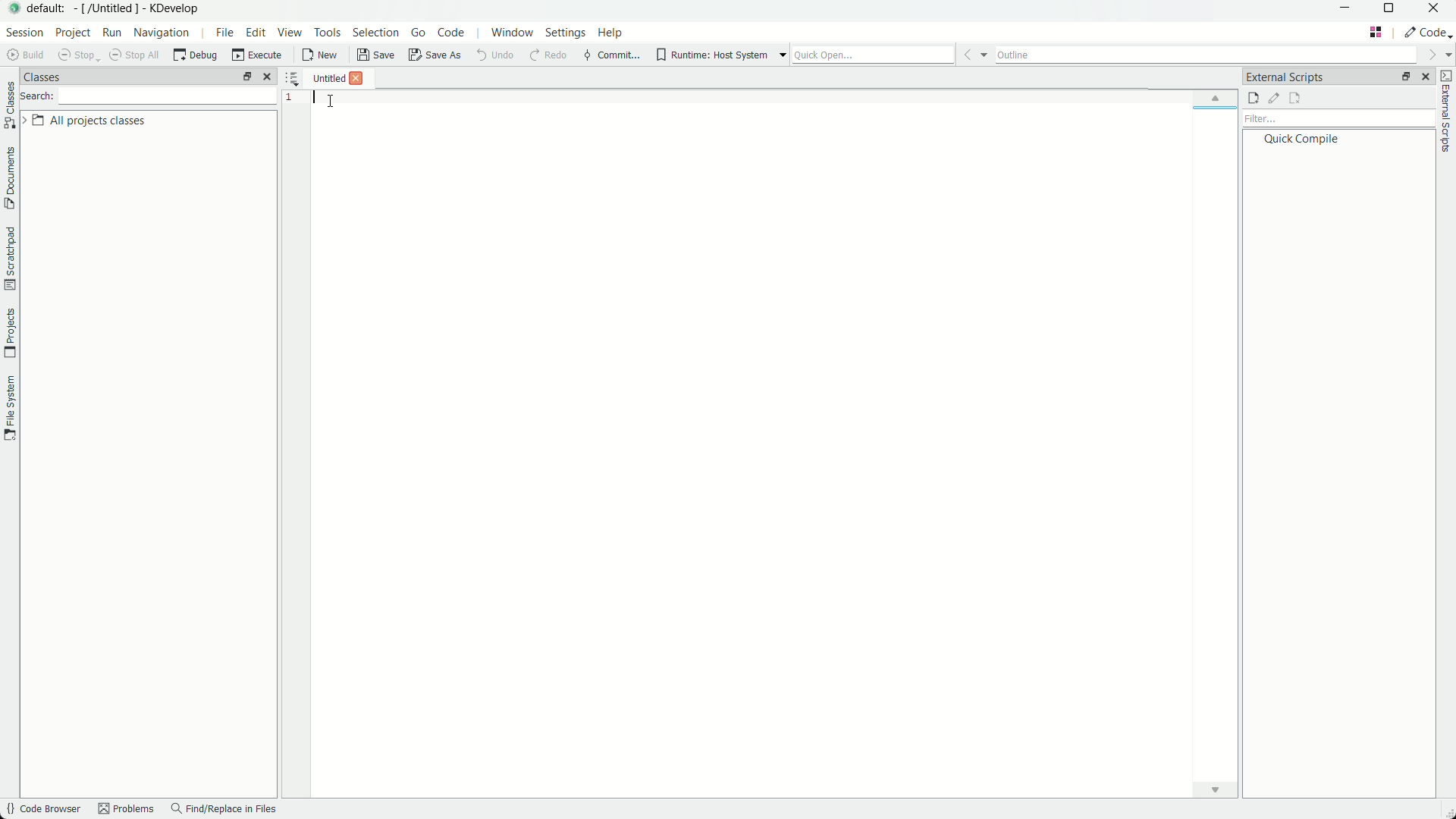 This screenshot has height=819, width=1456. I want to click on debug, so click(193, 58).